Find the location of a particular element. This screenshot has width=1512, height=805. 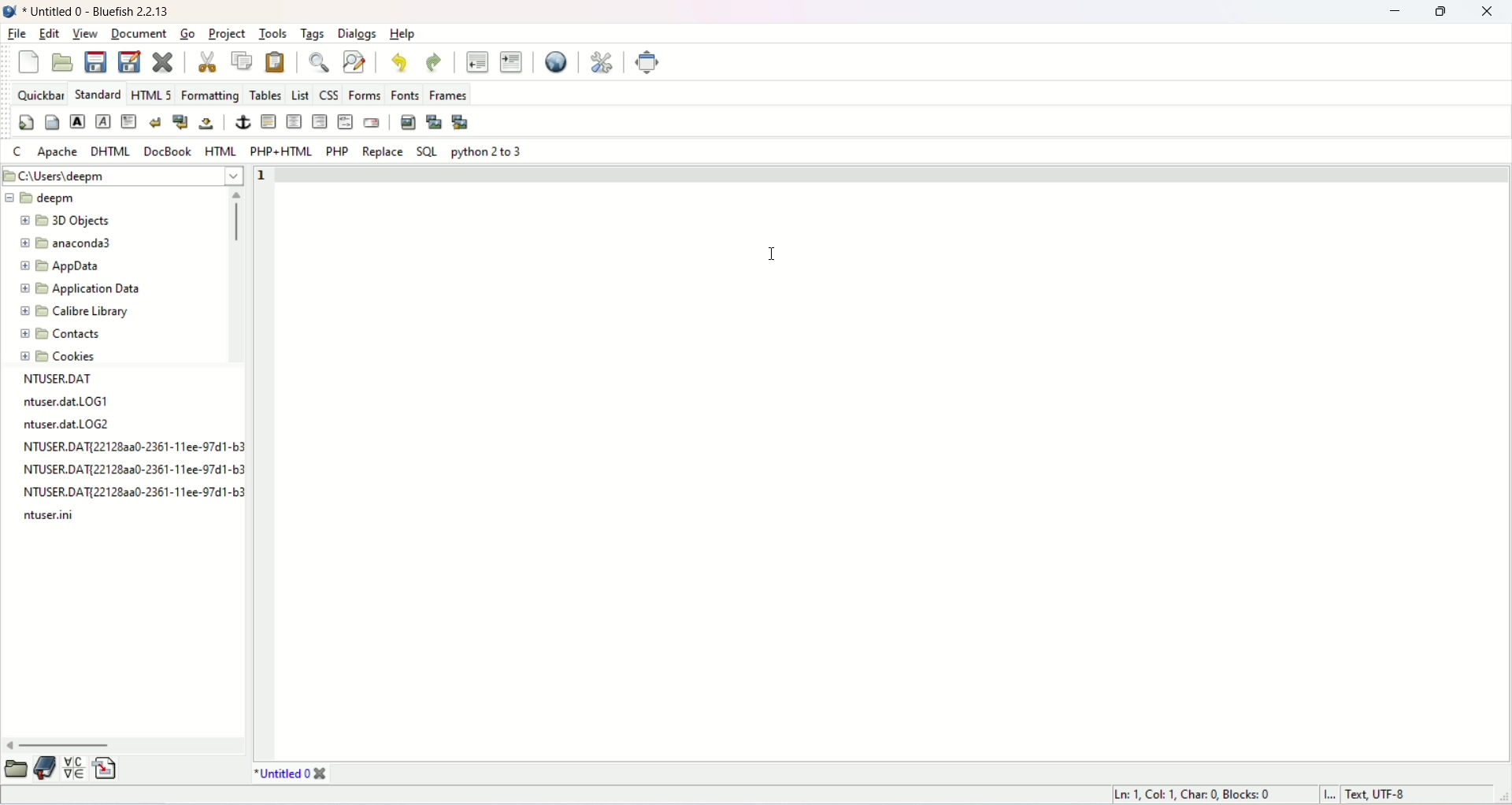

tools is located at coordinates (273, 35).